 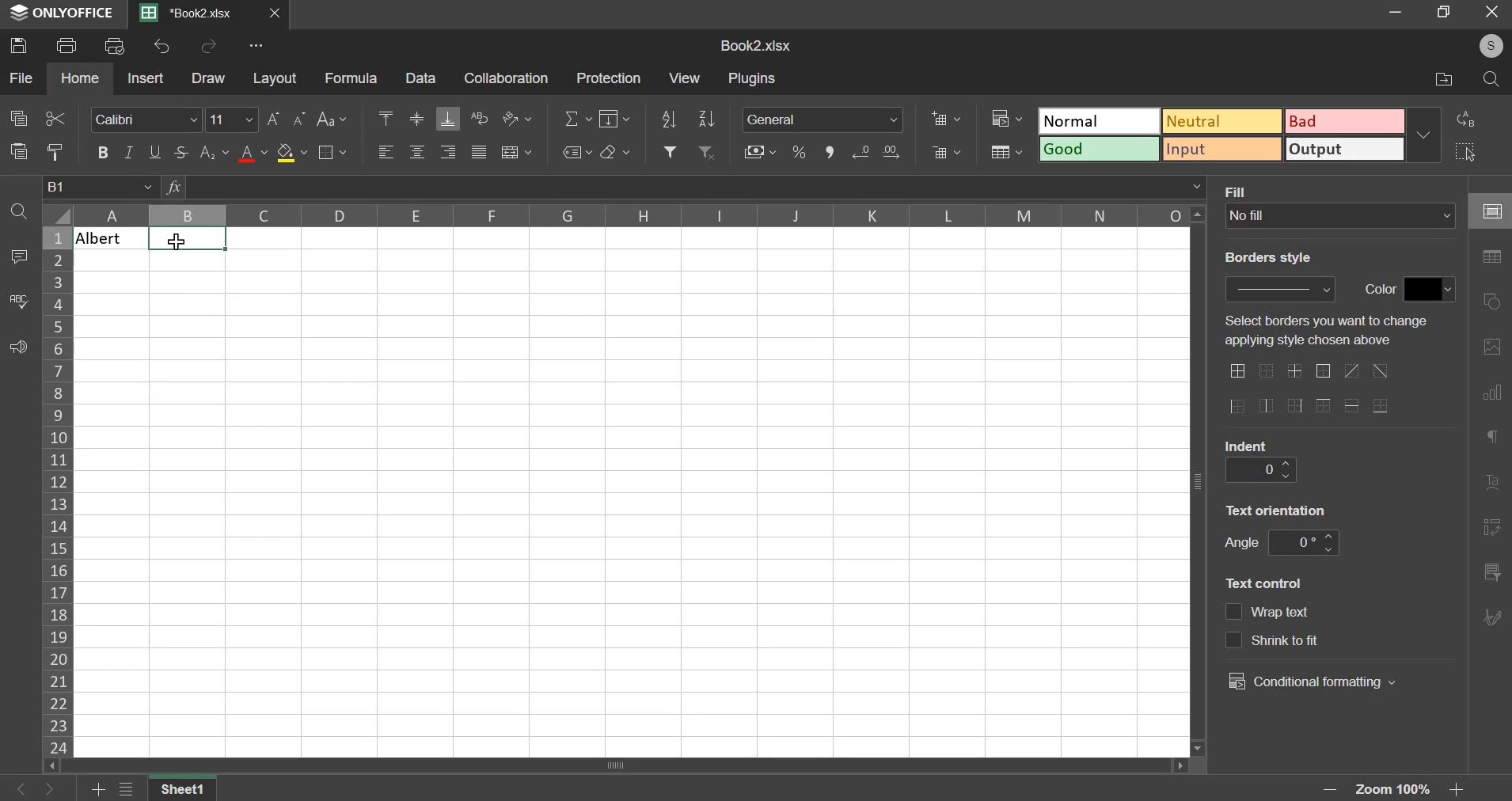 I want to click on rows, so click(x=56, y=489).